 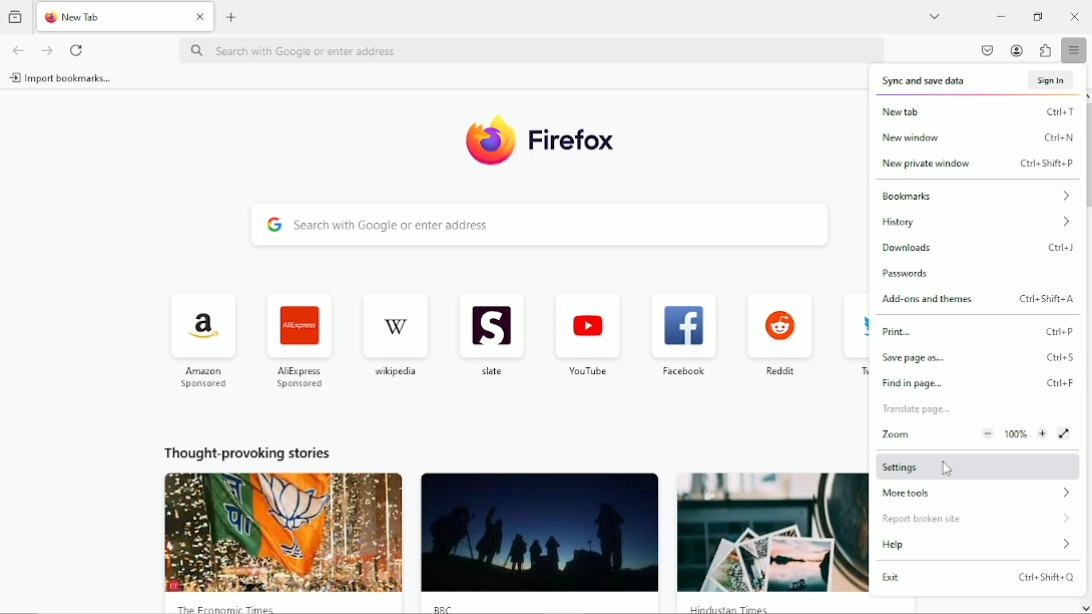 I want to click on search bar, so click(x=543, y=224).